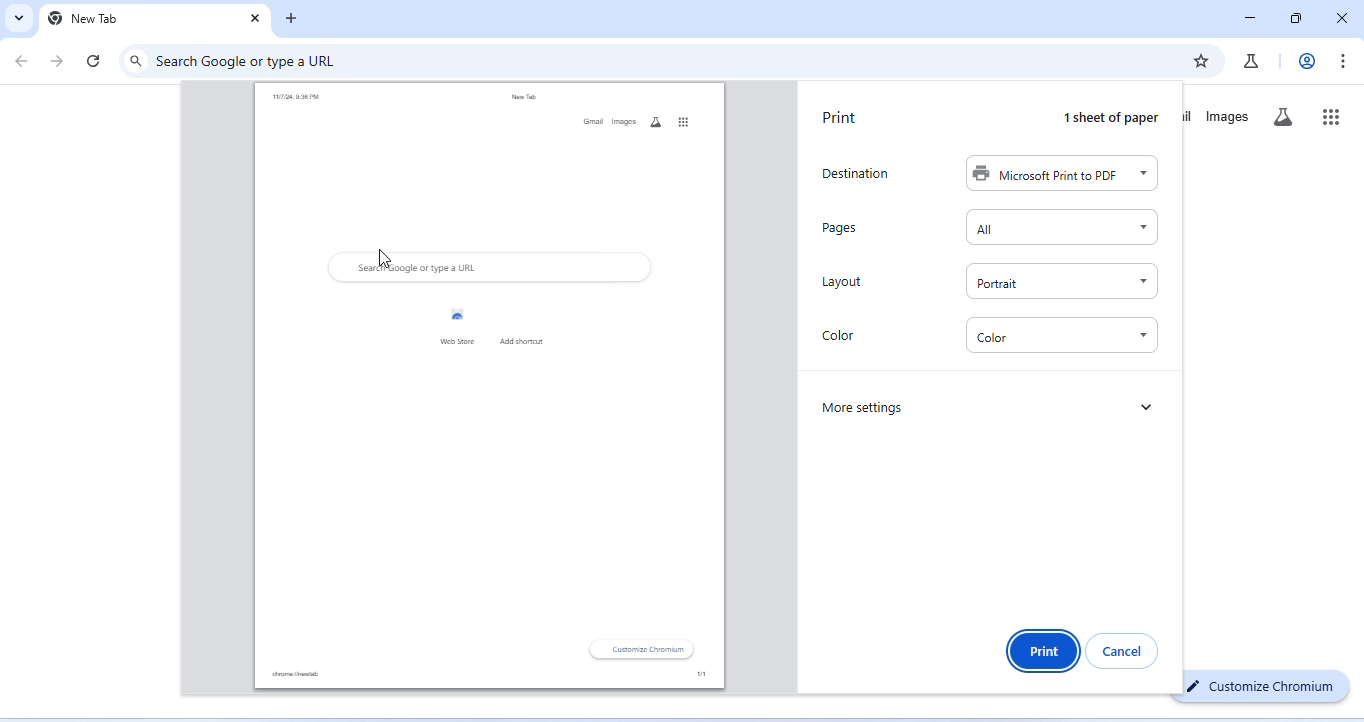  I want to click on search icon, so click(136, 61).